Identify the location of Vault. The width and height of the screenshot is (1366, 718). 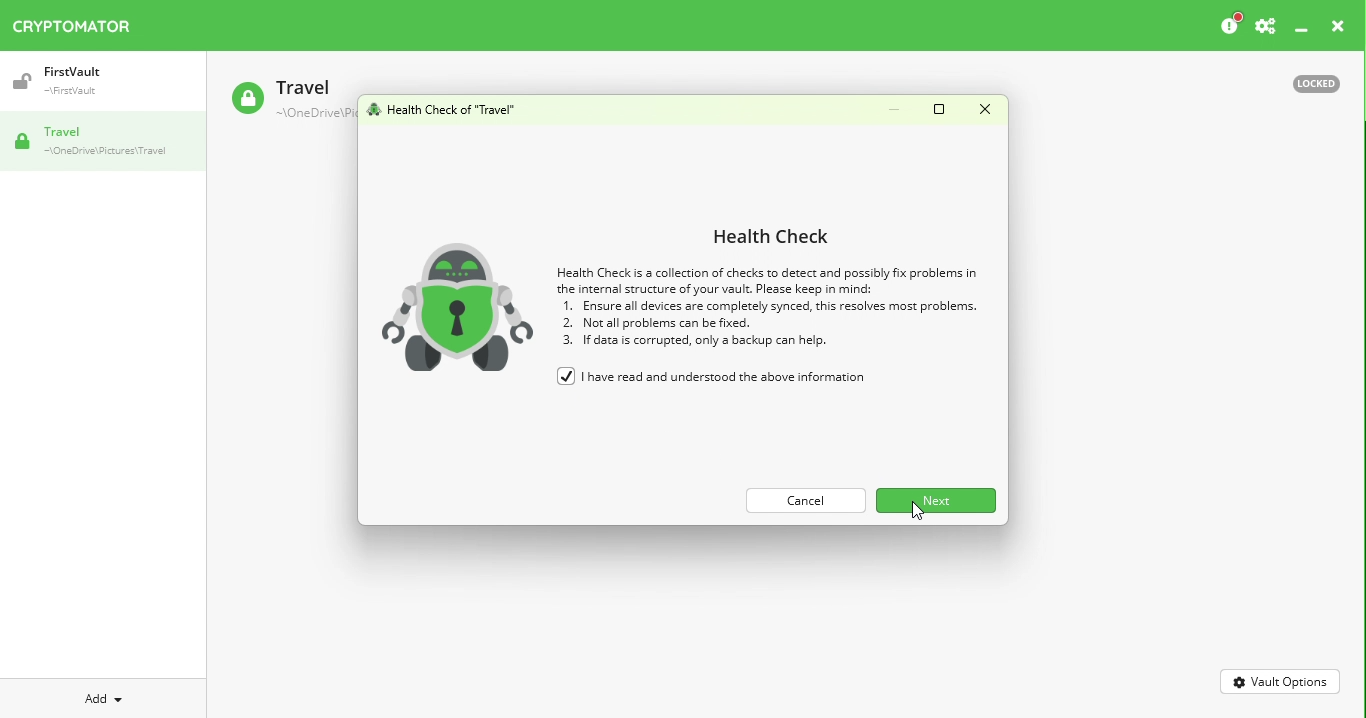
(65, 81).